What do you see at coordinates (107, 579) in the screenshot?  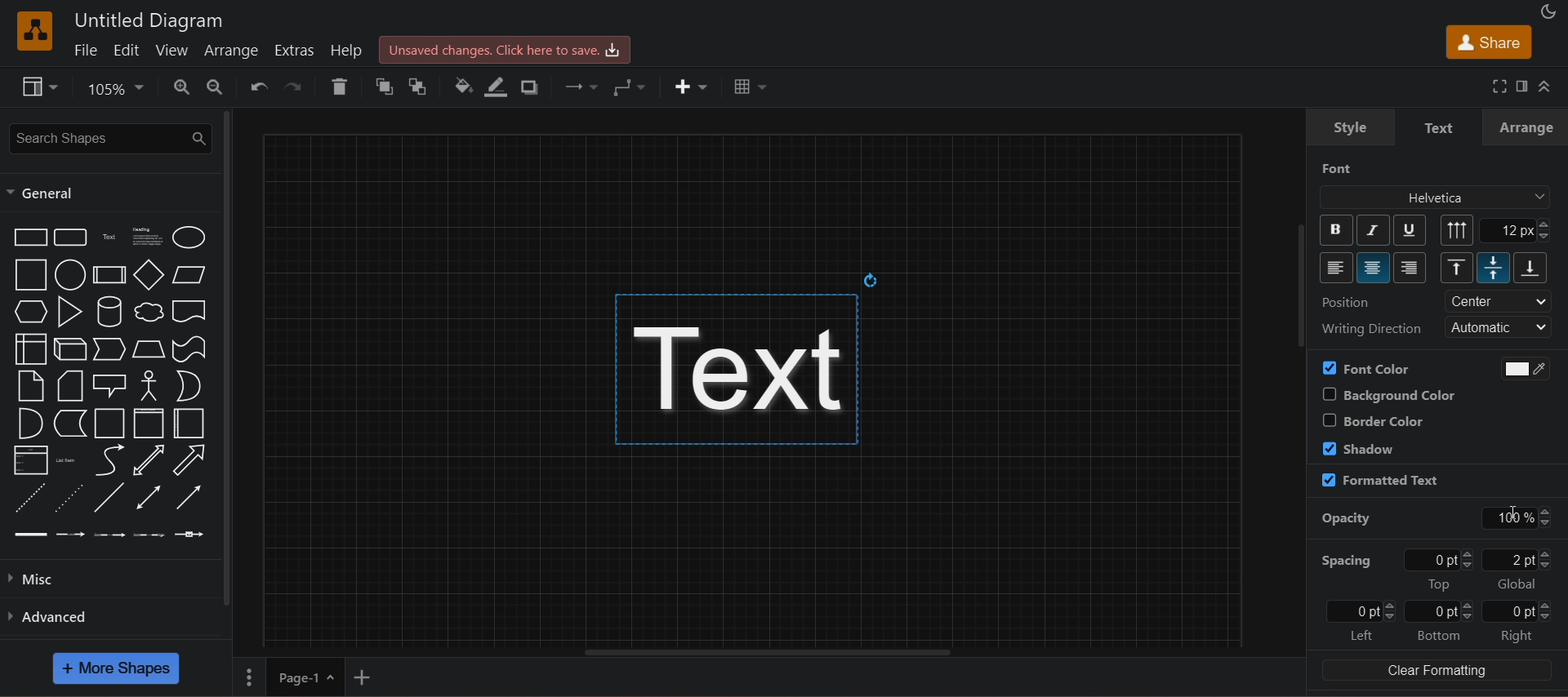 I see `misc` at bounding box center [107, 579].